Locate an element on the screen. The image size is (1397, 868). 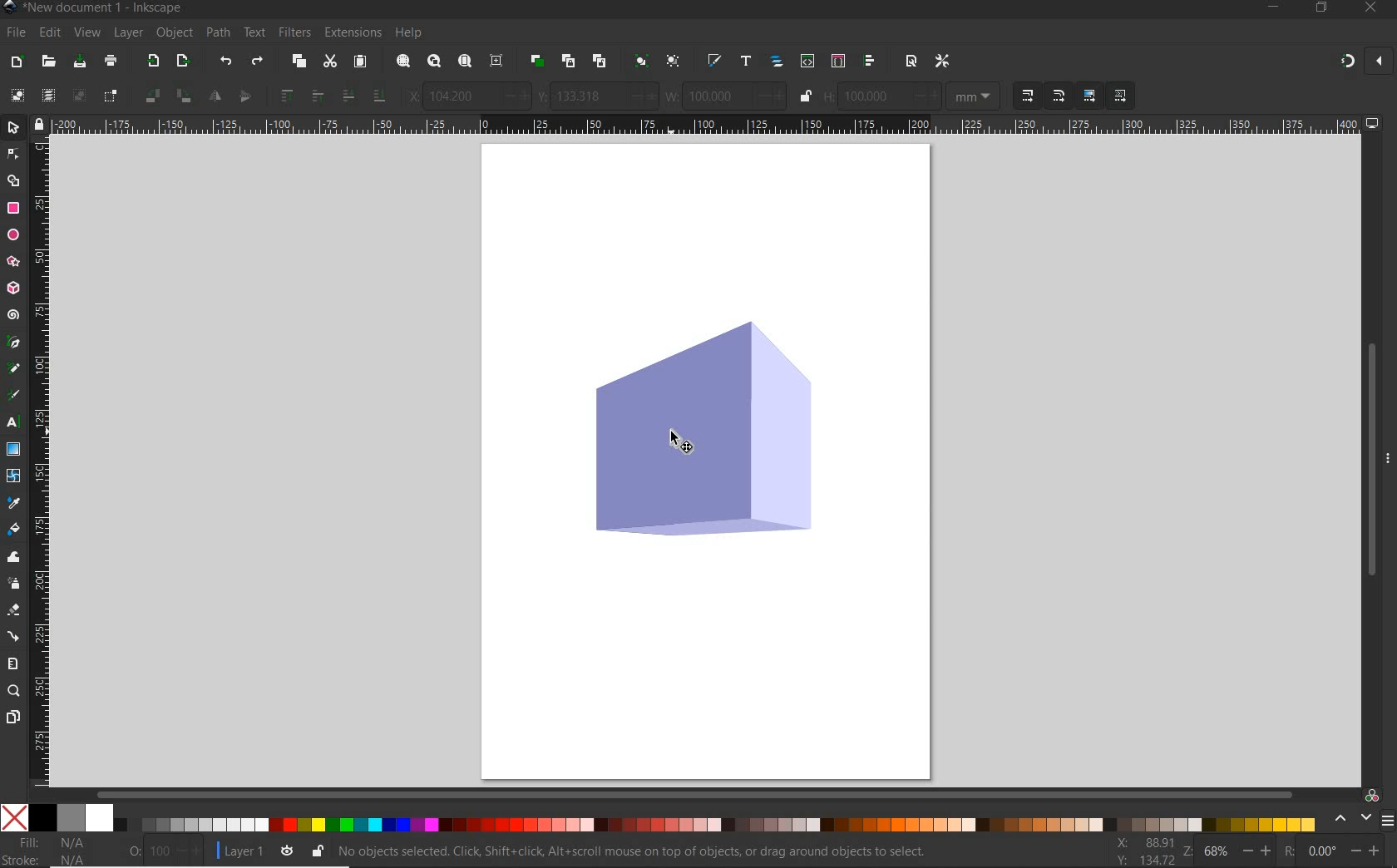
GRADIENT TOOL is located at coordinates (14, 451).